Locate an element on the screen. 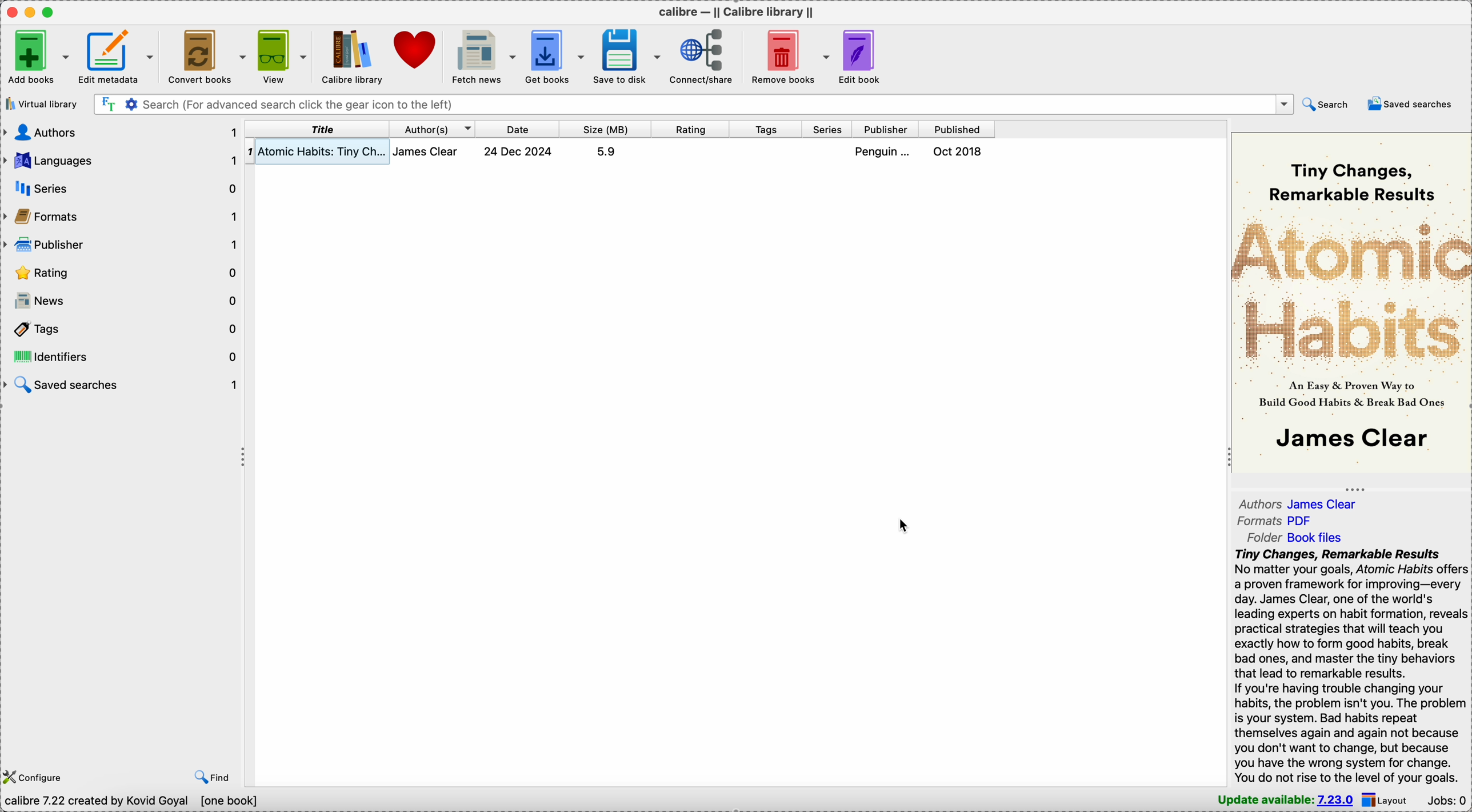  publisher is located at coordinates (887, 130).